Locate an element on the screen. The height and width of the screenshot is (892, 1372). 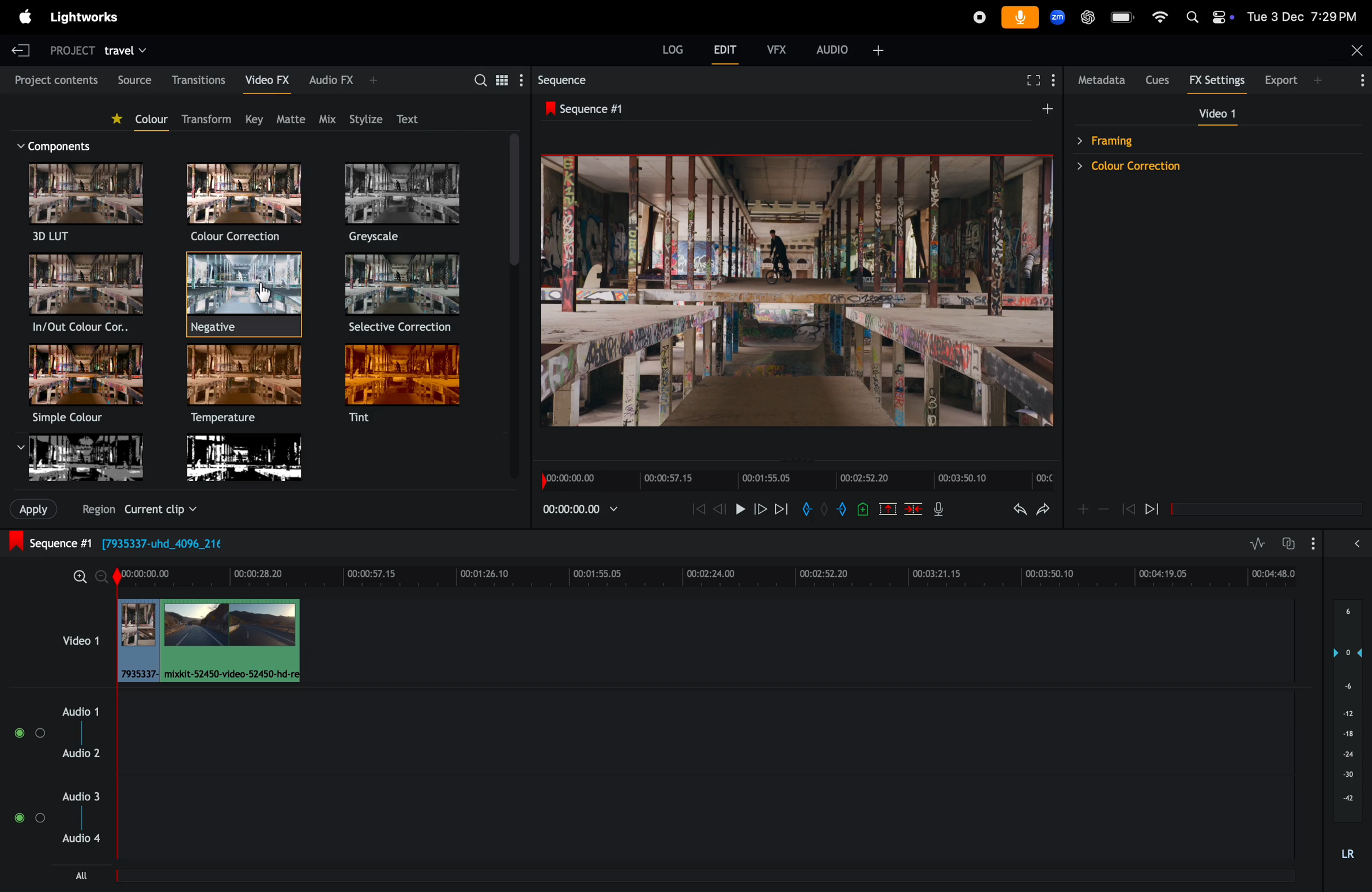
date and time is located at coordinates (1303, 17).